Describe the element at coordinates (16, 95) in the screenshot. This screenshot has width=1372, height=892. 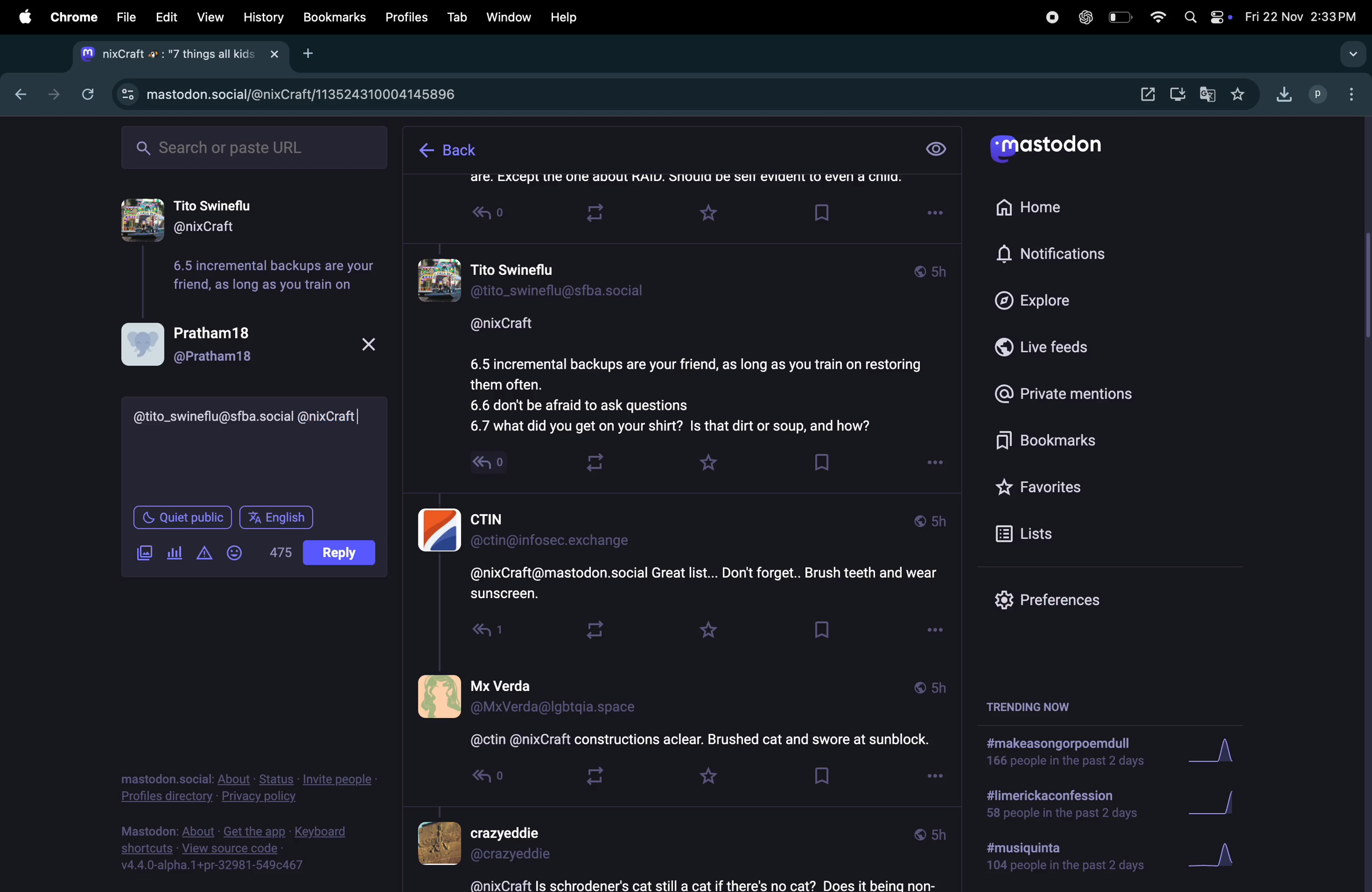
I see `backward` at that location.